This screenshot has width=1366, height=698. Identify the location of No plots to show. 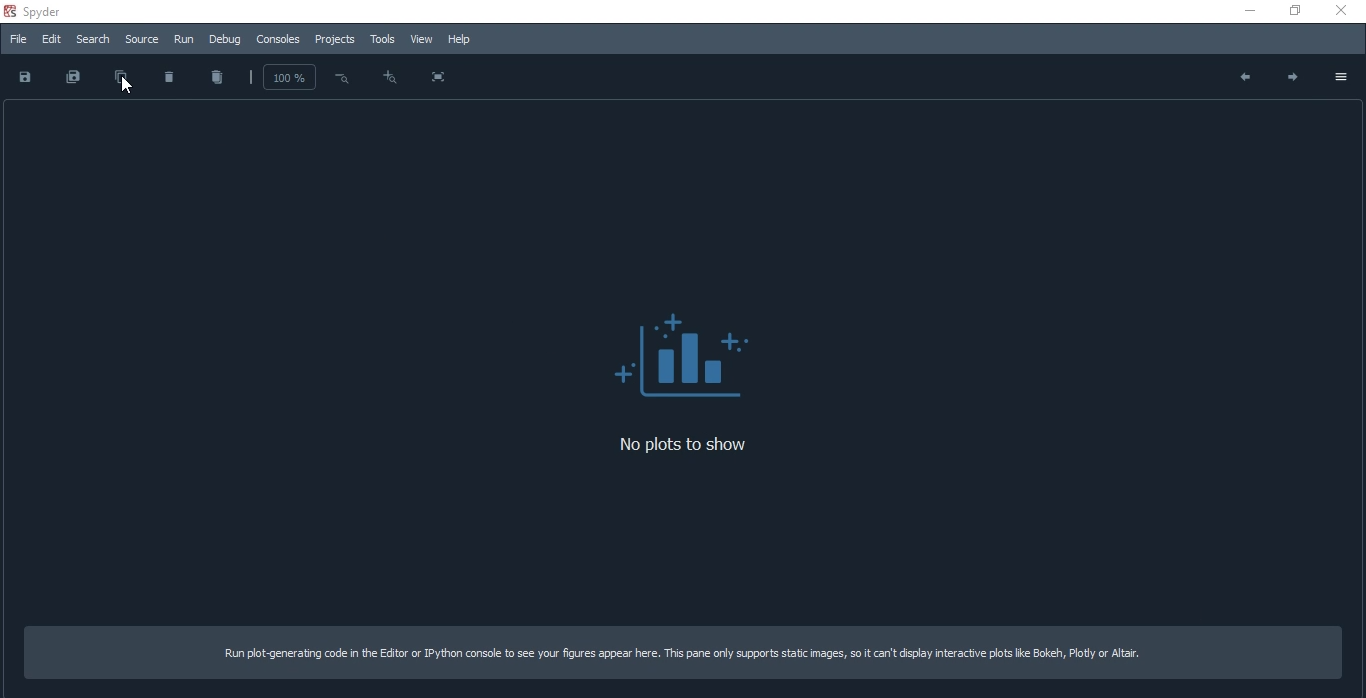
(686, 356).